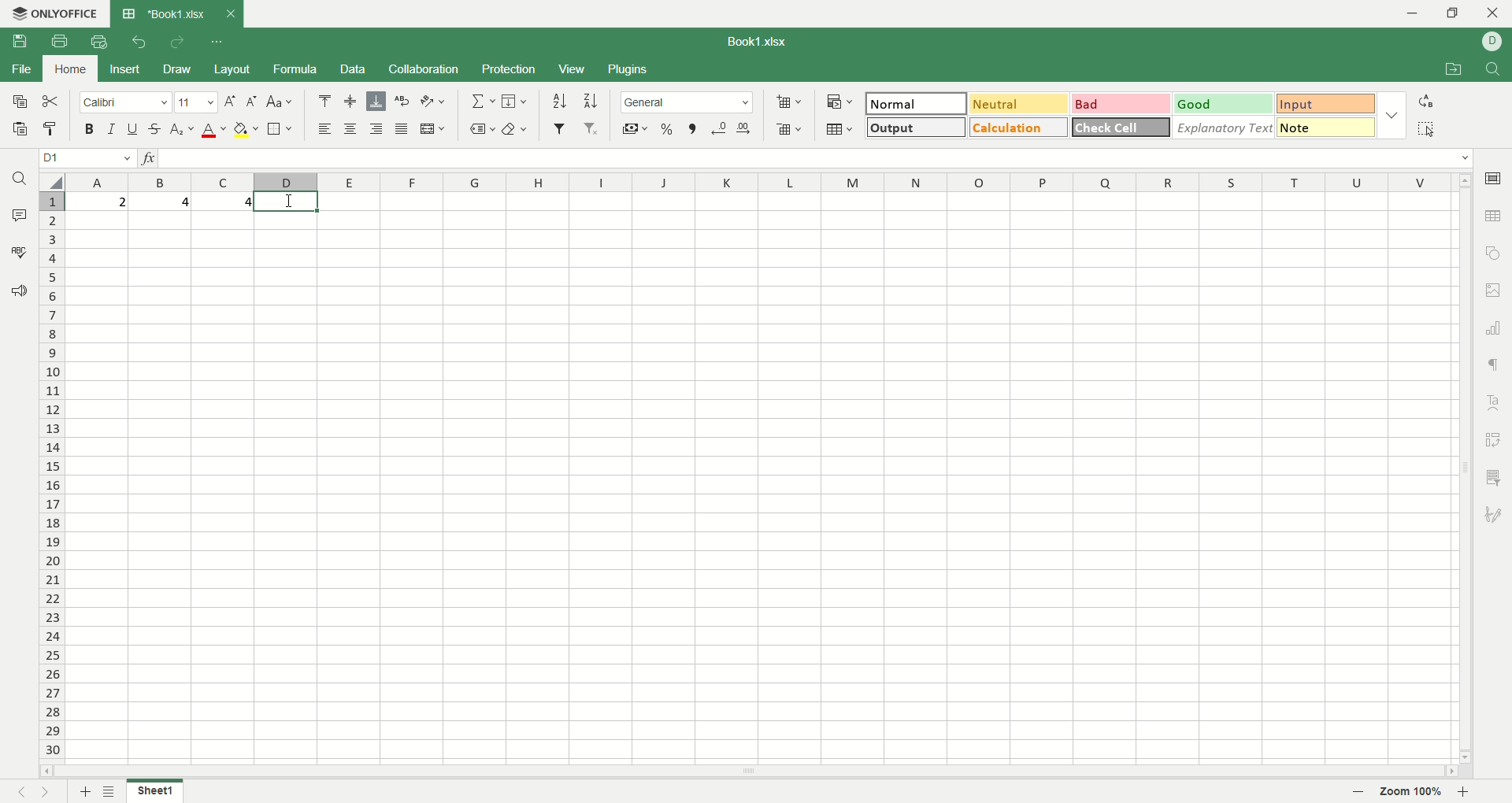  I want to click on cell name, so click(83, 157).